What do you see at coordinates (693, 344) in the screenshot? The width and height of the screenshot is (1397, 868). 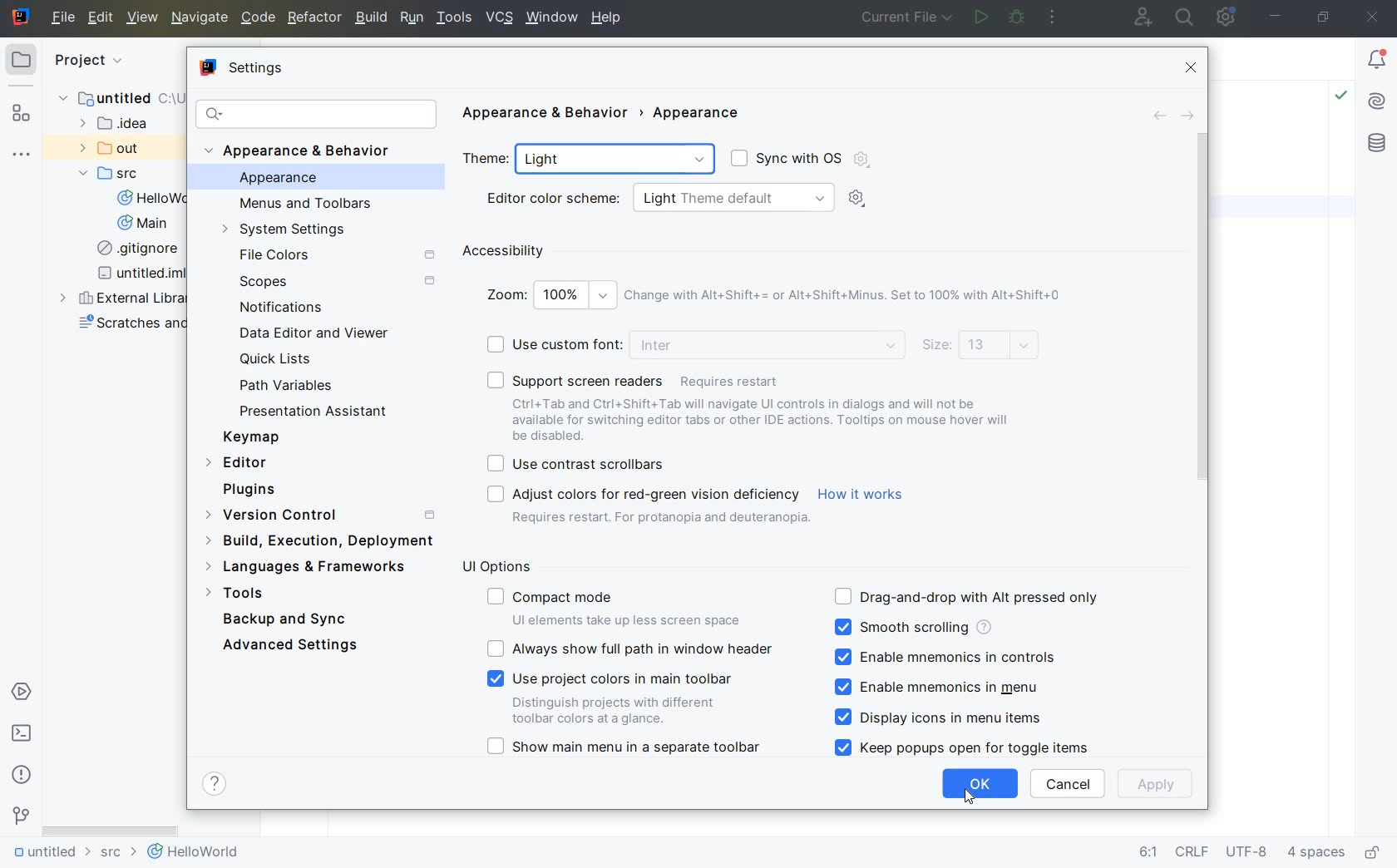 I see `Use custom font` at bounding box center [693, 344].